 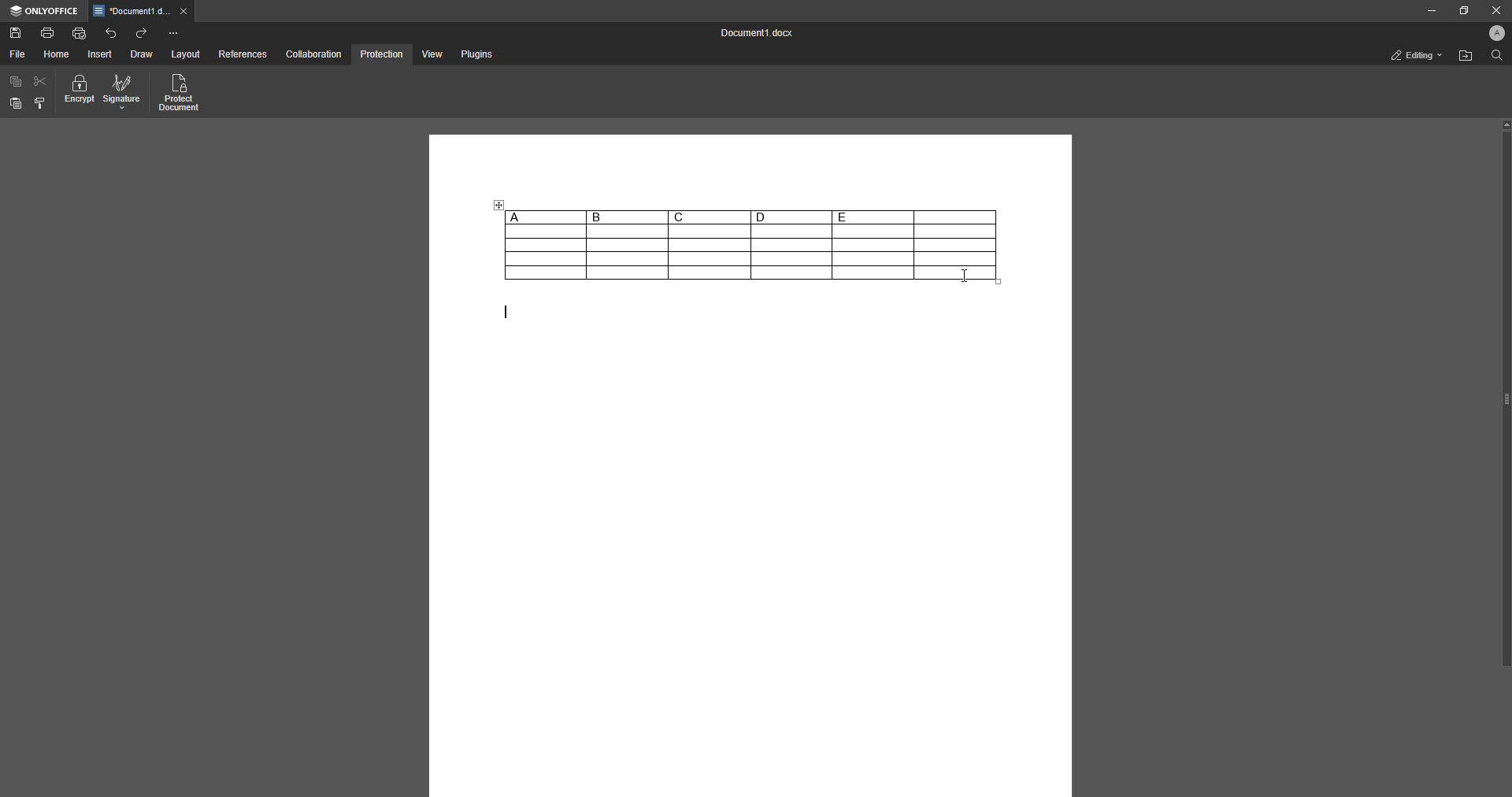 What do you see at coordinates (381, 54) in the screenshot?
I see `Protection` at bounding box center [381, 54].